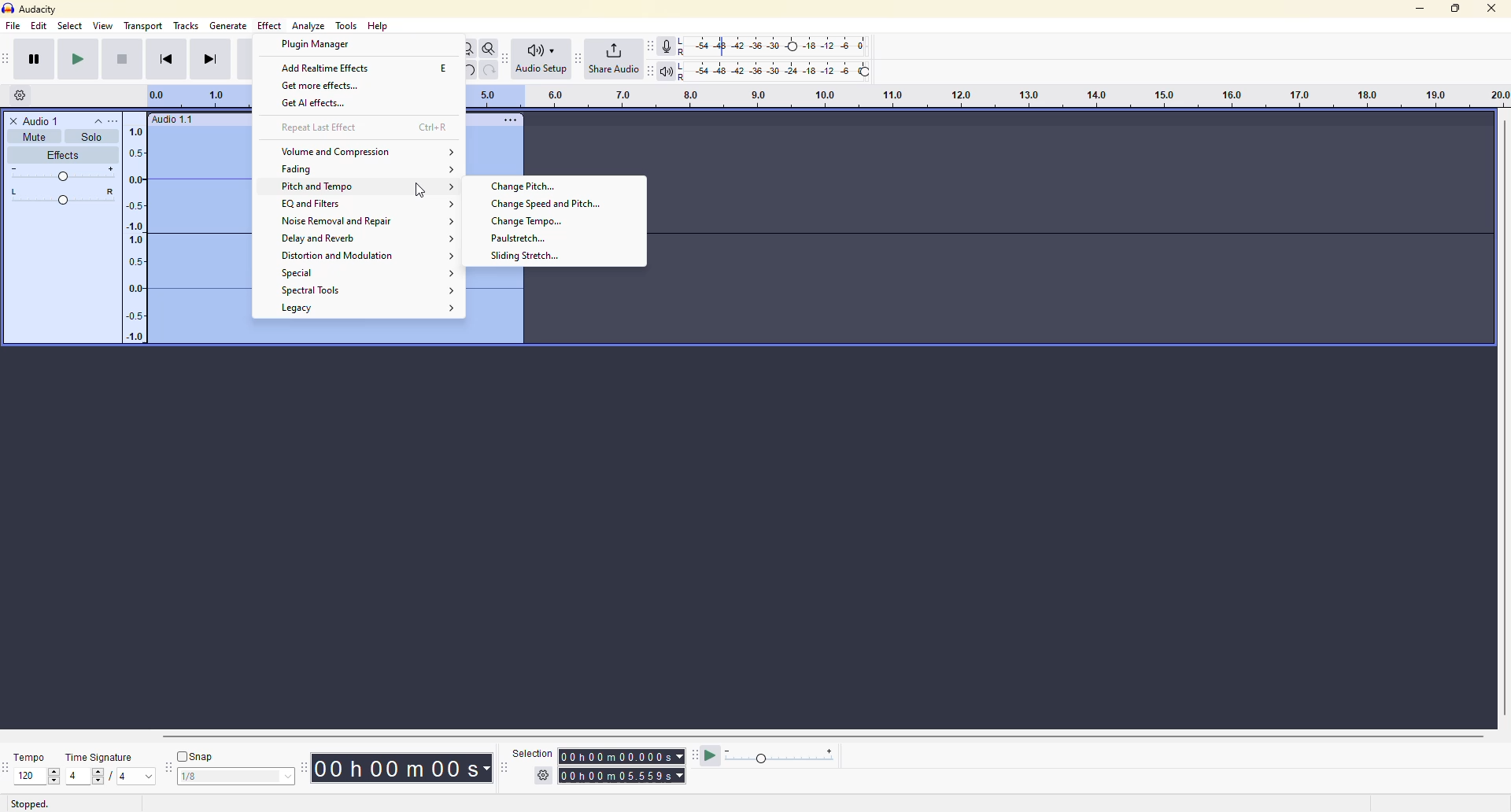  What do you see at coordinates (501, 768) in the screenshot?
I see `selection toolbar` at bounding box center [501, 768].